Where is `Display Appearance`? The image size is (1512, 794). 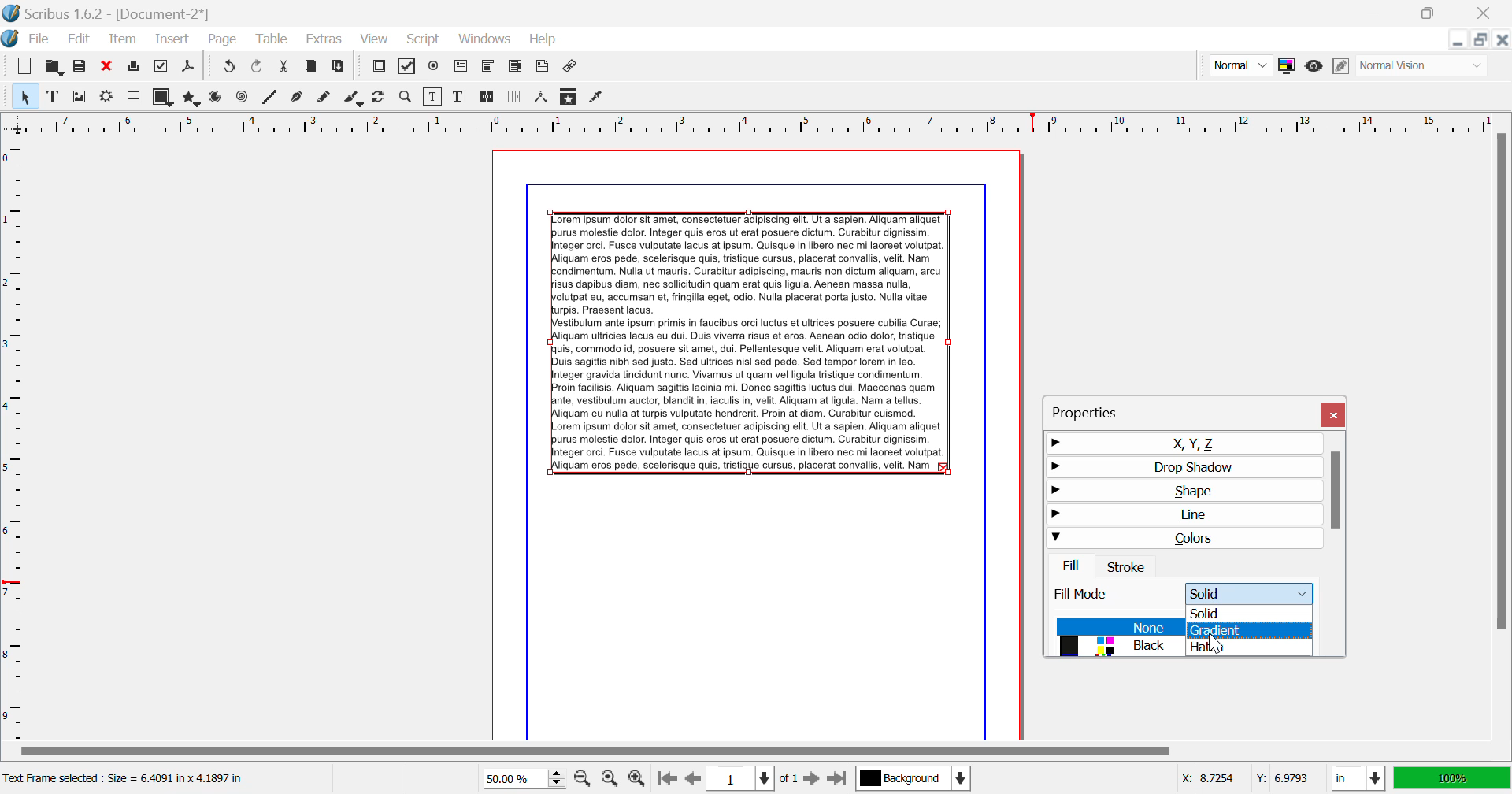 Display Appearance is located at coordinates (1452, 778).